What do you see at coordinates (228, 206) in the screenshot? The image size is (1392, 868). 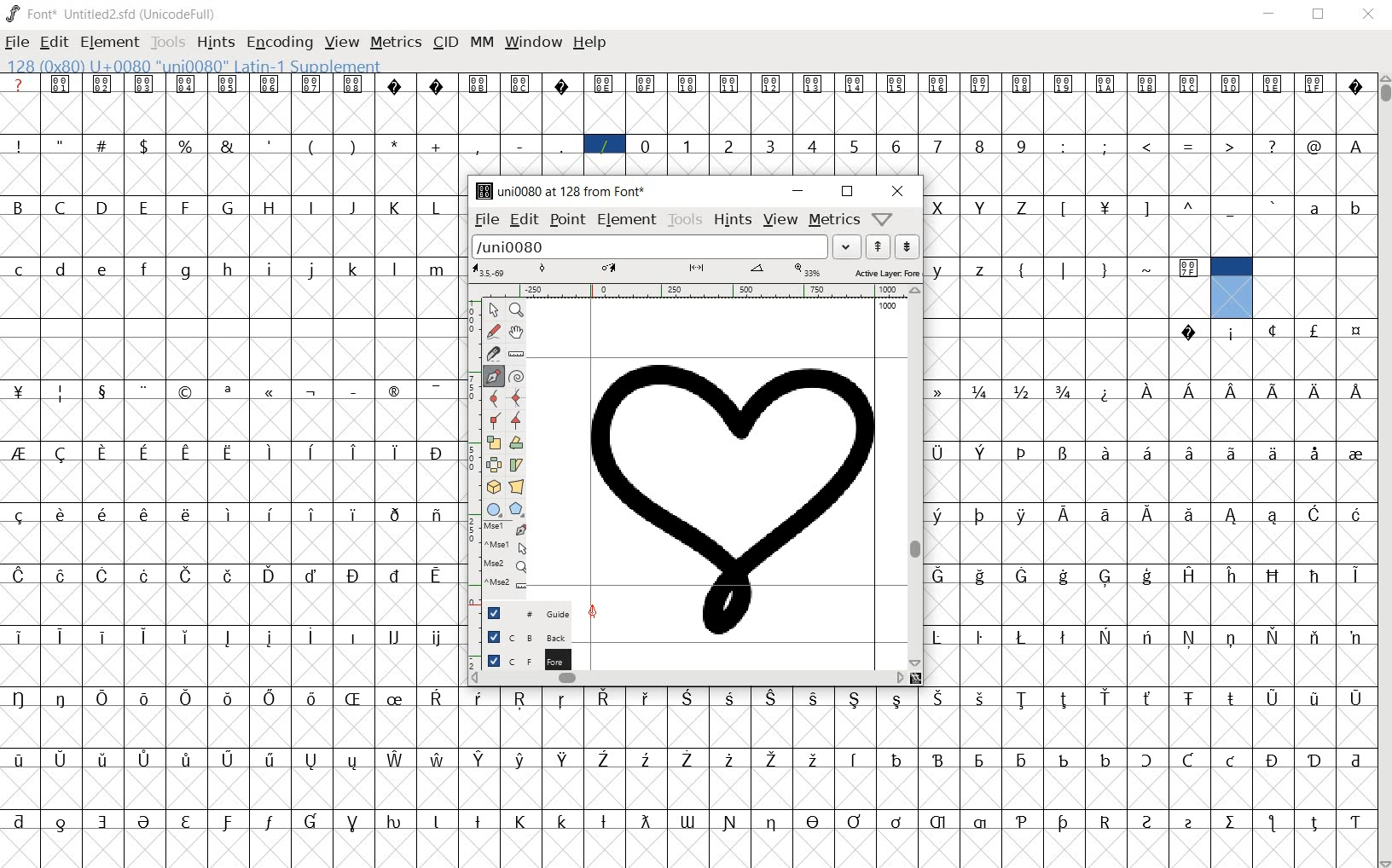 I see `glyph` at bounding box center [228, 206].